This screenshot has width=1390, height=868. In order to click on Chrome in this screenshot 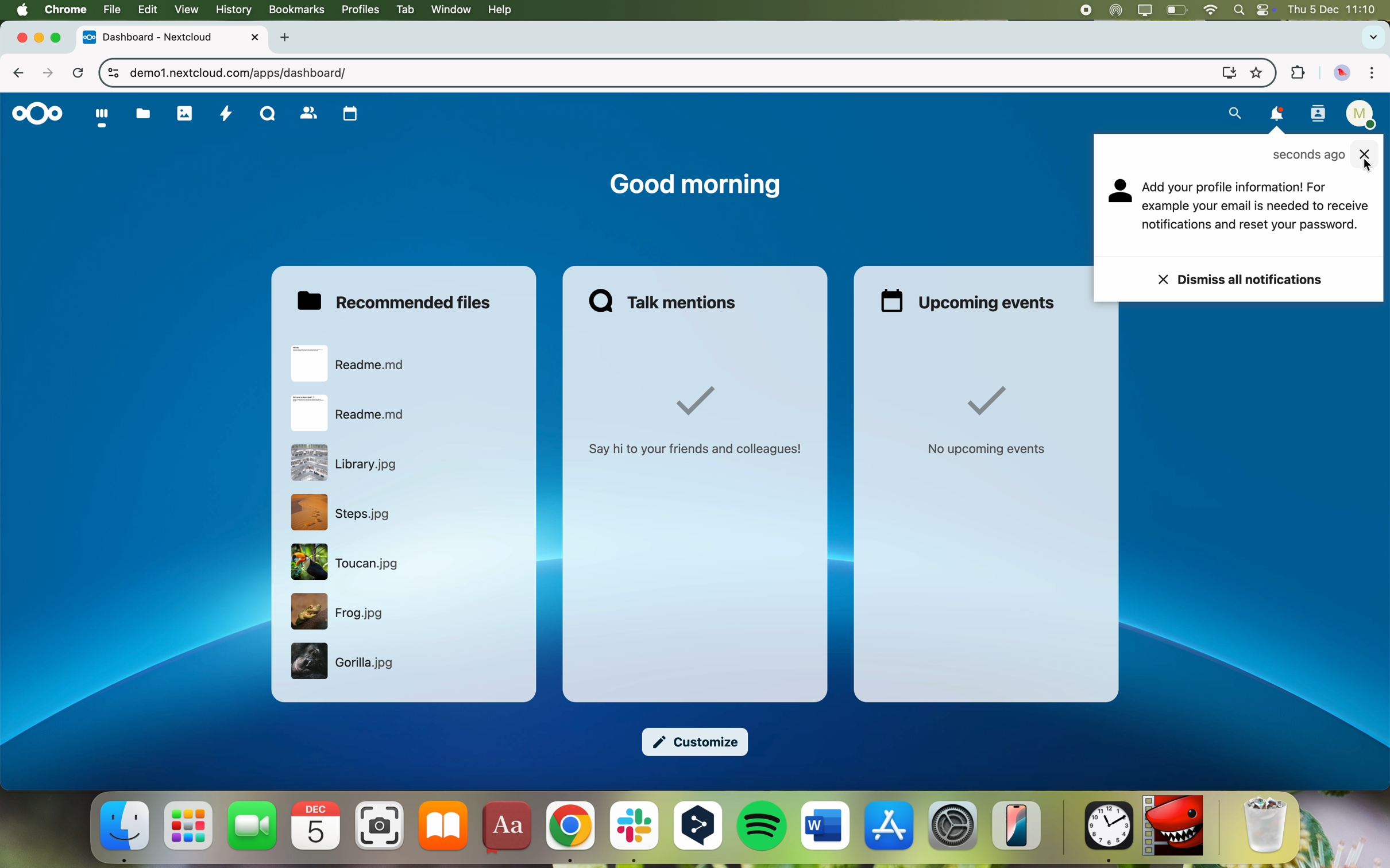, I will do `click(65, 9)`.